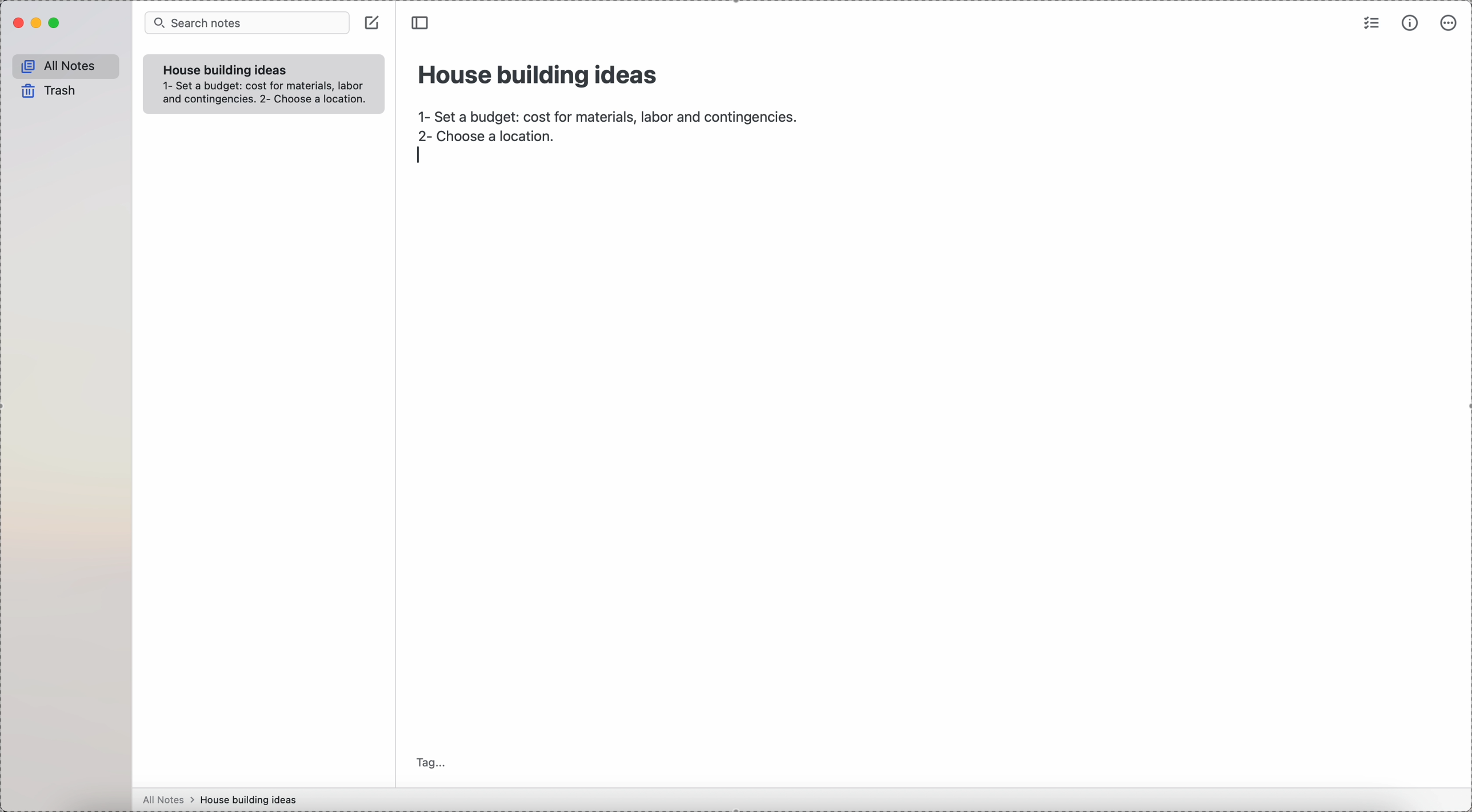 The width and height of the screenshot is (1472, 812). I want to click on all notes, so click(66, 66).